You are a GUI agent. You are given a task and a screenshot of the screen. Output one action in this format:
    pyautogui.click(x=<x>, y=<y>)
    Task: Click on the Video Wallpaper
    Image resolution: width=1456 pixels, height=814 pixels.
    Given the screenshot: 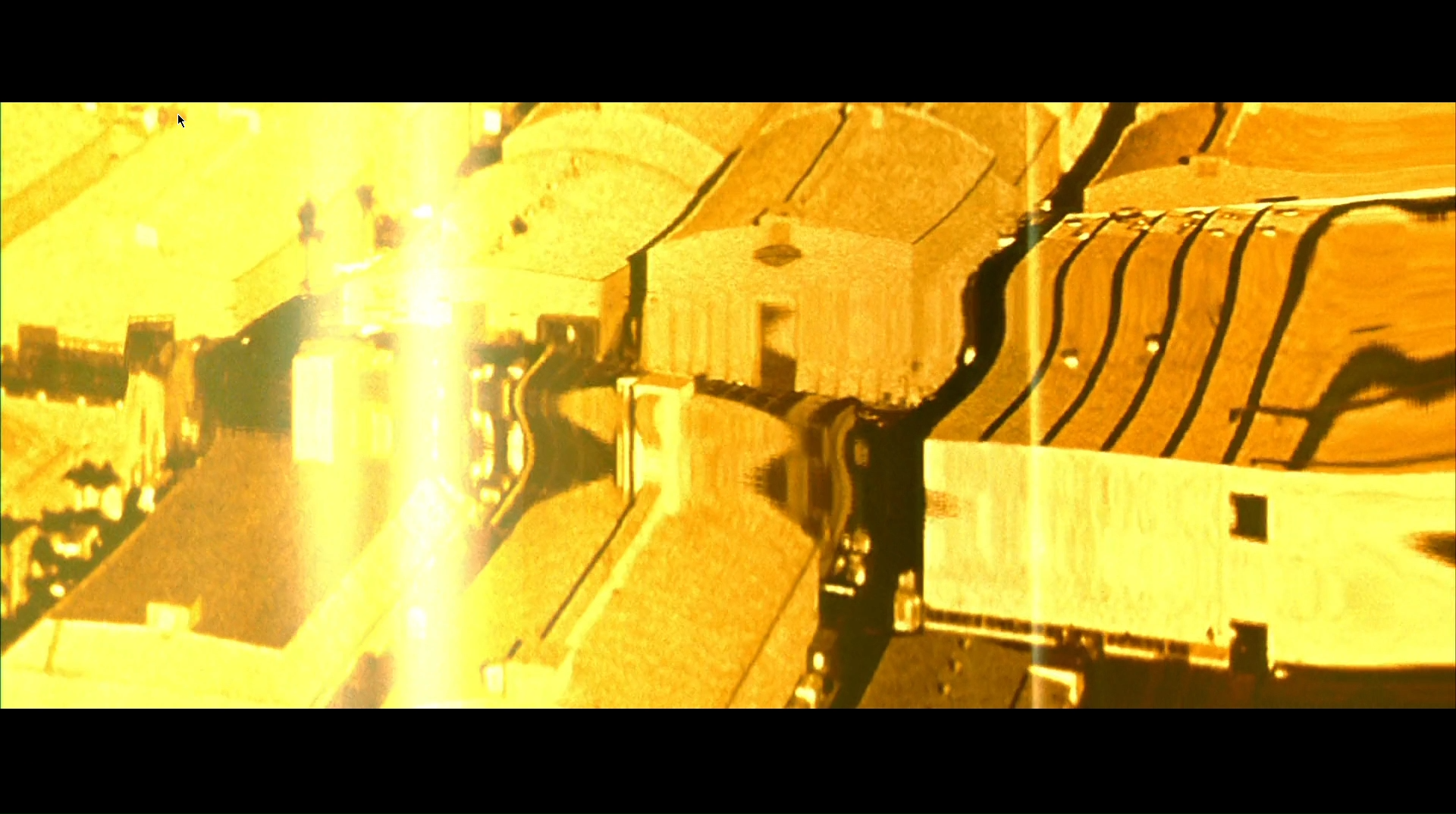 What is the action you would take?
    pyautogui.click(x=729, y=407)
    